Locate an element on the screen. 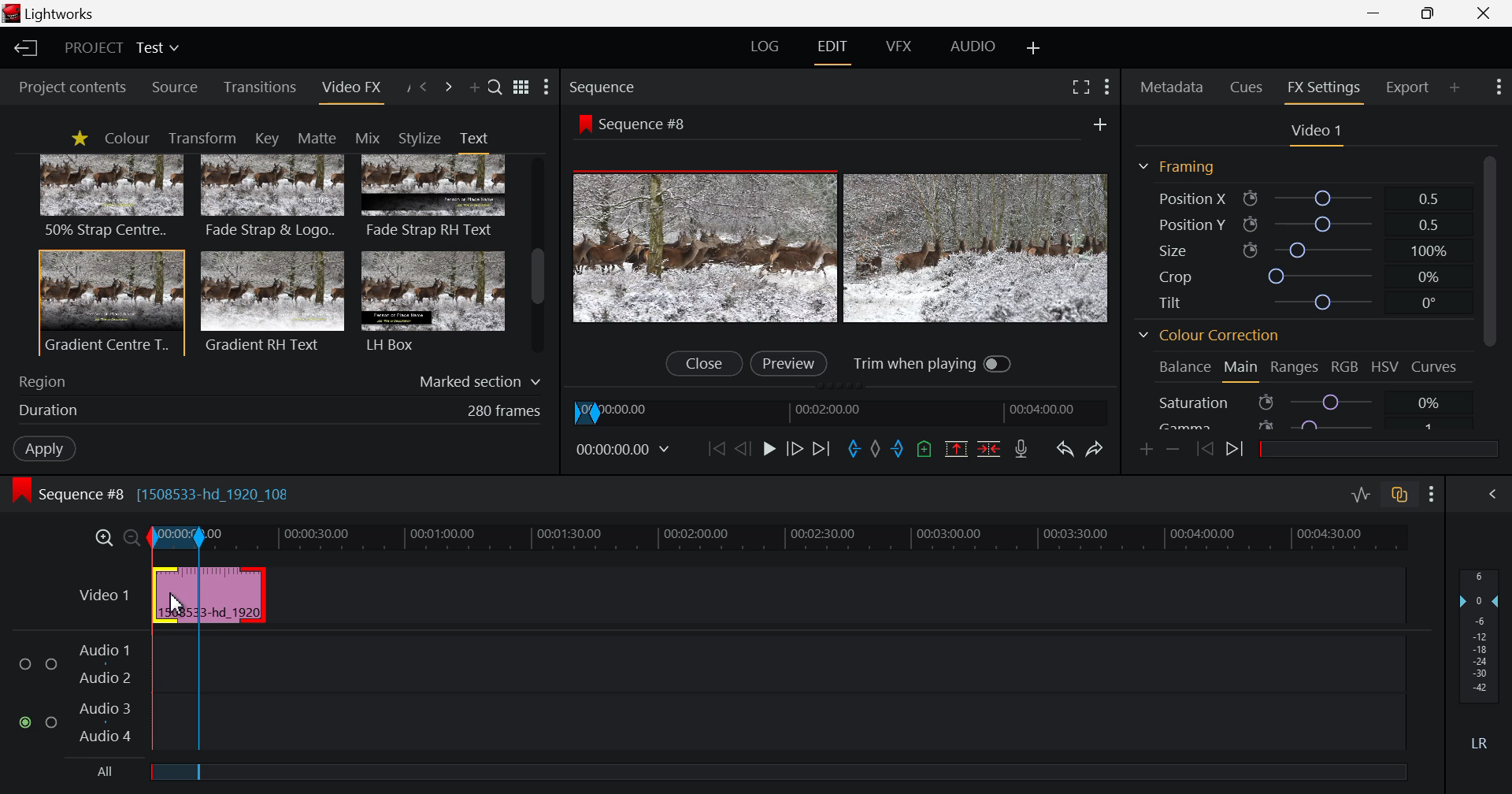 This screenshot has height=794, width=1512. Tilt is located at coordinates (1304, 302).